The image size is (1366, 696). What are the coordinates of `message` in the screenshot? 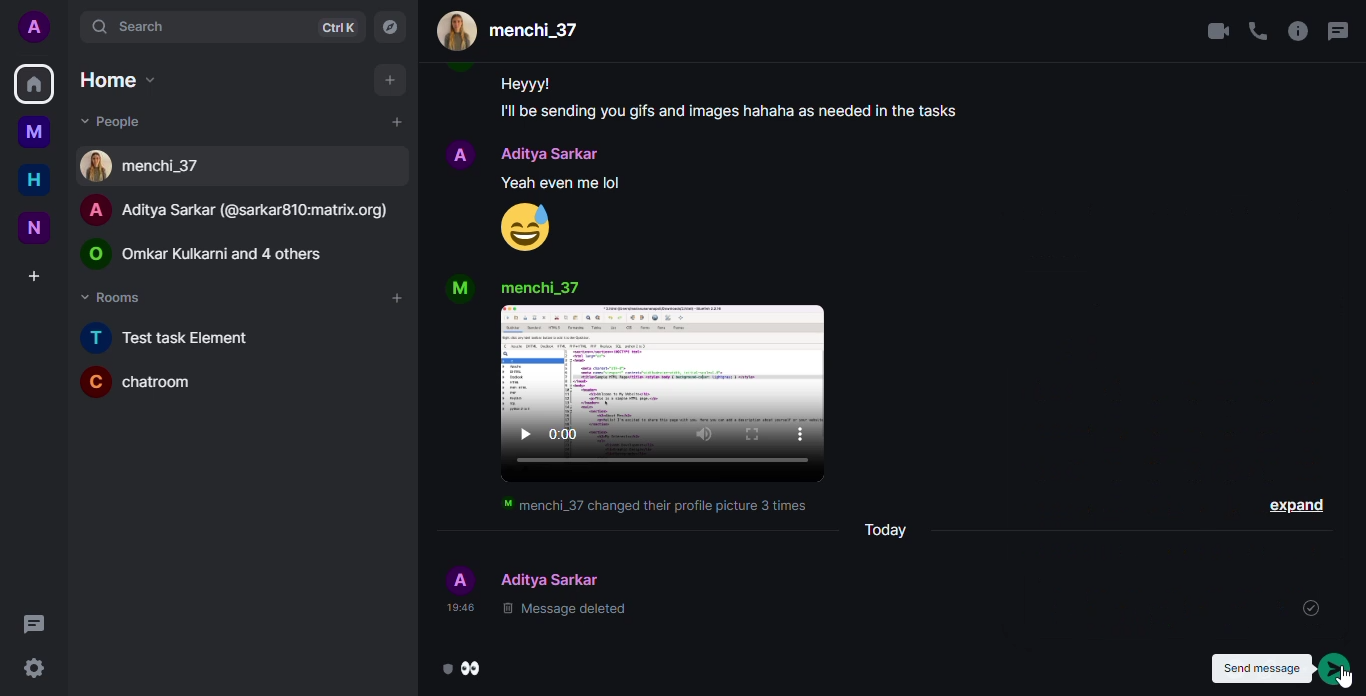 It's located at (566, 182).